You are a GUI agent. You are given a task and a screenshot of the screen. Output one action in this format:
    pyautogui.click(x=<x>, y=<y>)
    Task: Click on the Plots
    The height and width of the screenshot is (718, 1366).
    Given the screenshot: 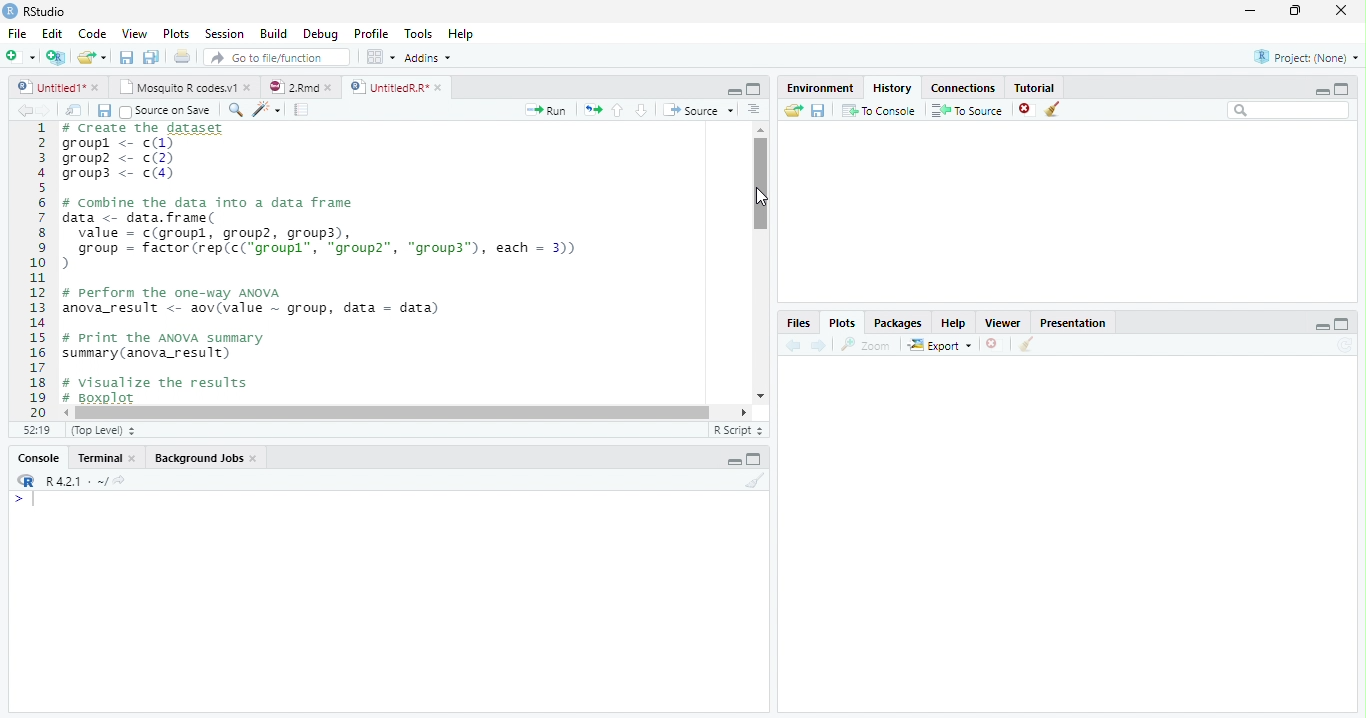 What is the action you would take?
    pyautogui.click(x=176, y=34)
    